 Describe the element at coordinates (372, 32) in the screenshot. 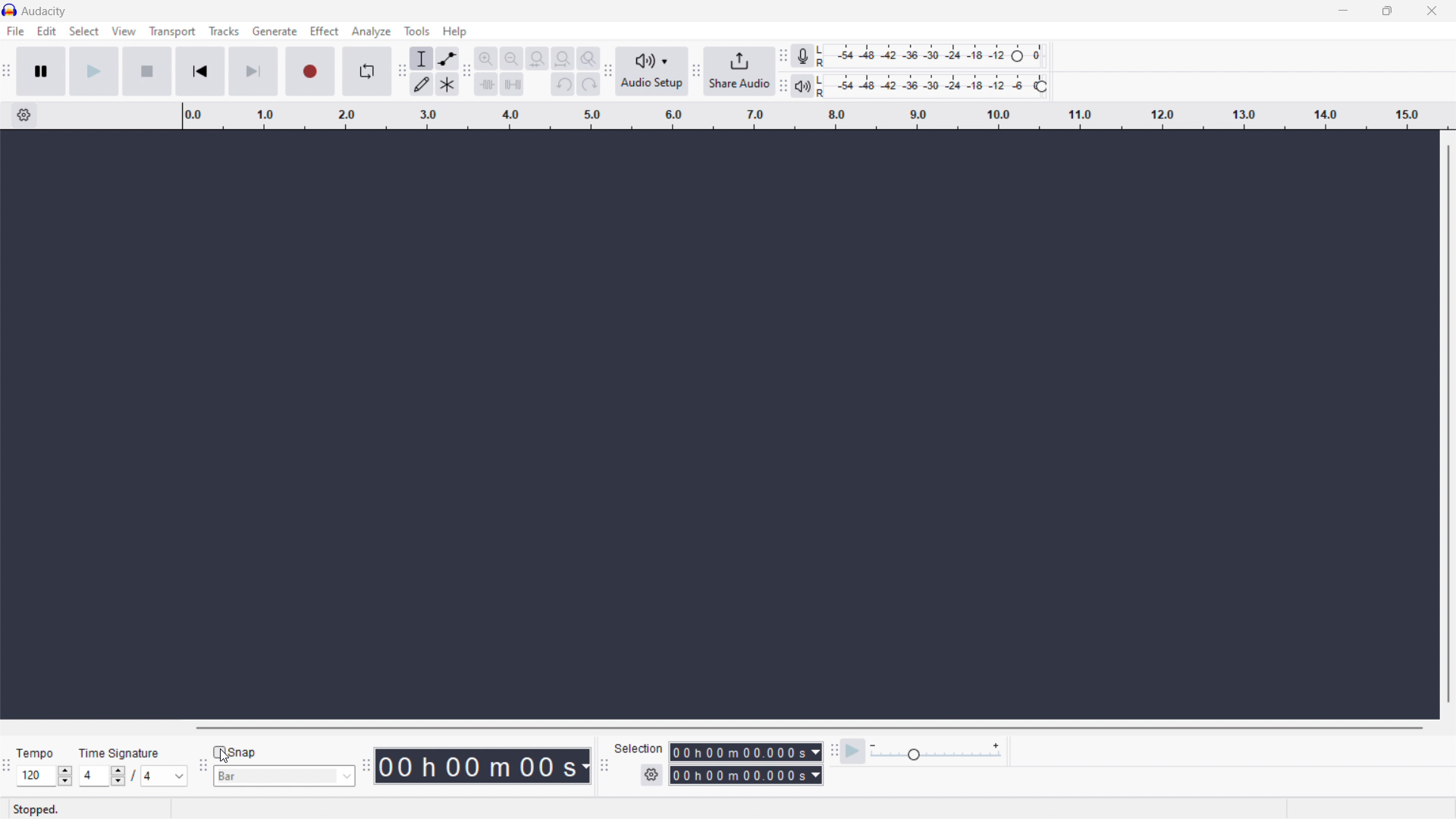

I see `analyze` at that location.